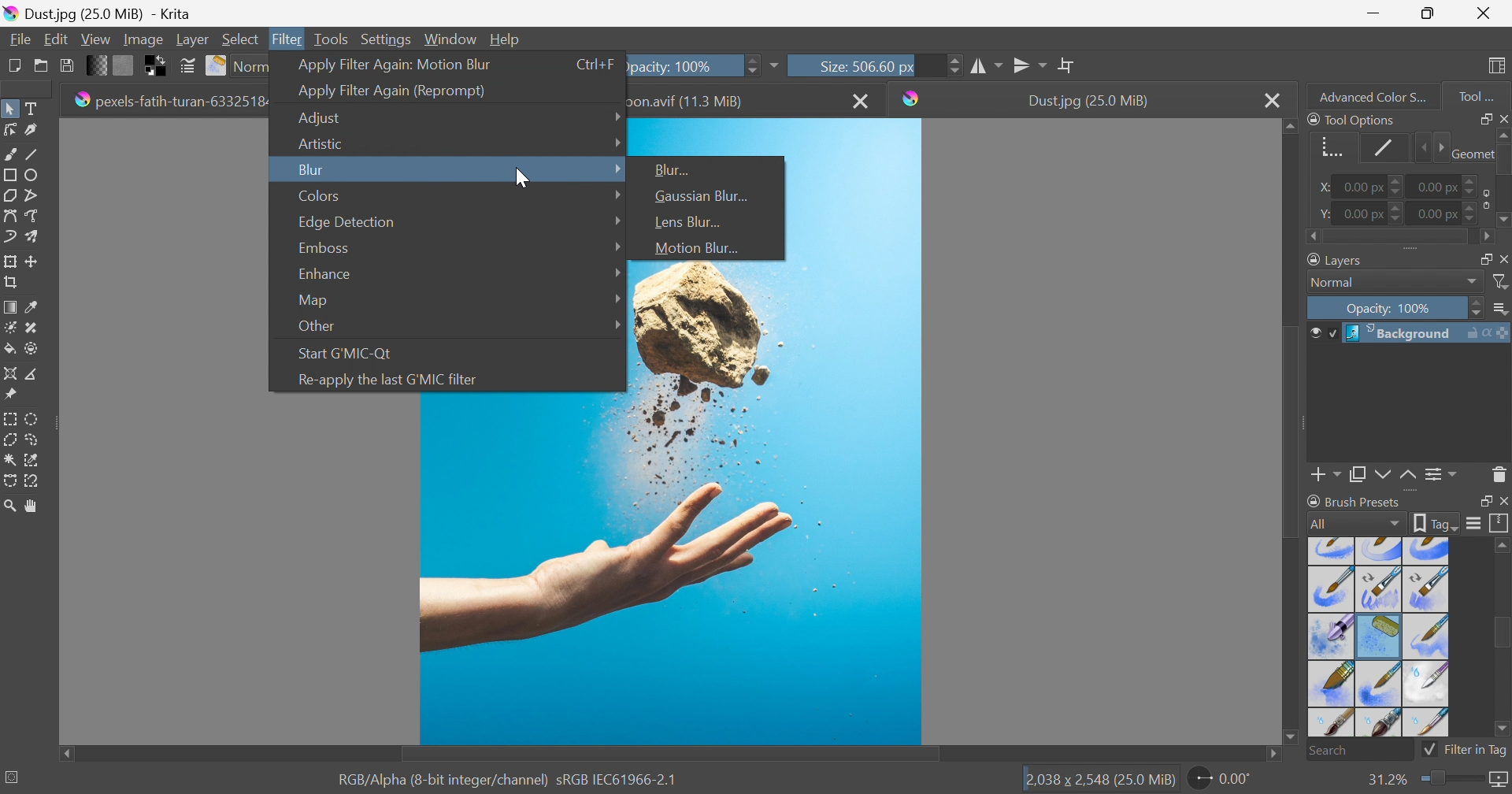  Describe the element at coordinates (1473, 523) in the screenshot. I see `Display settings` at that location.